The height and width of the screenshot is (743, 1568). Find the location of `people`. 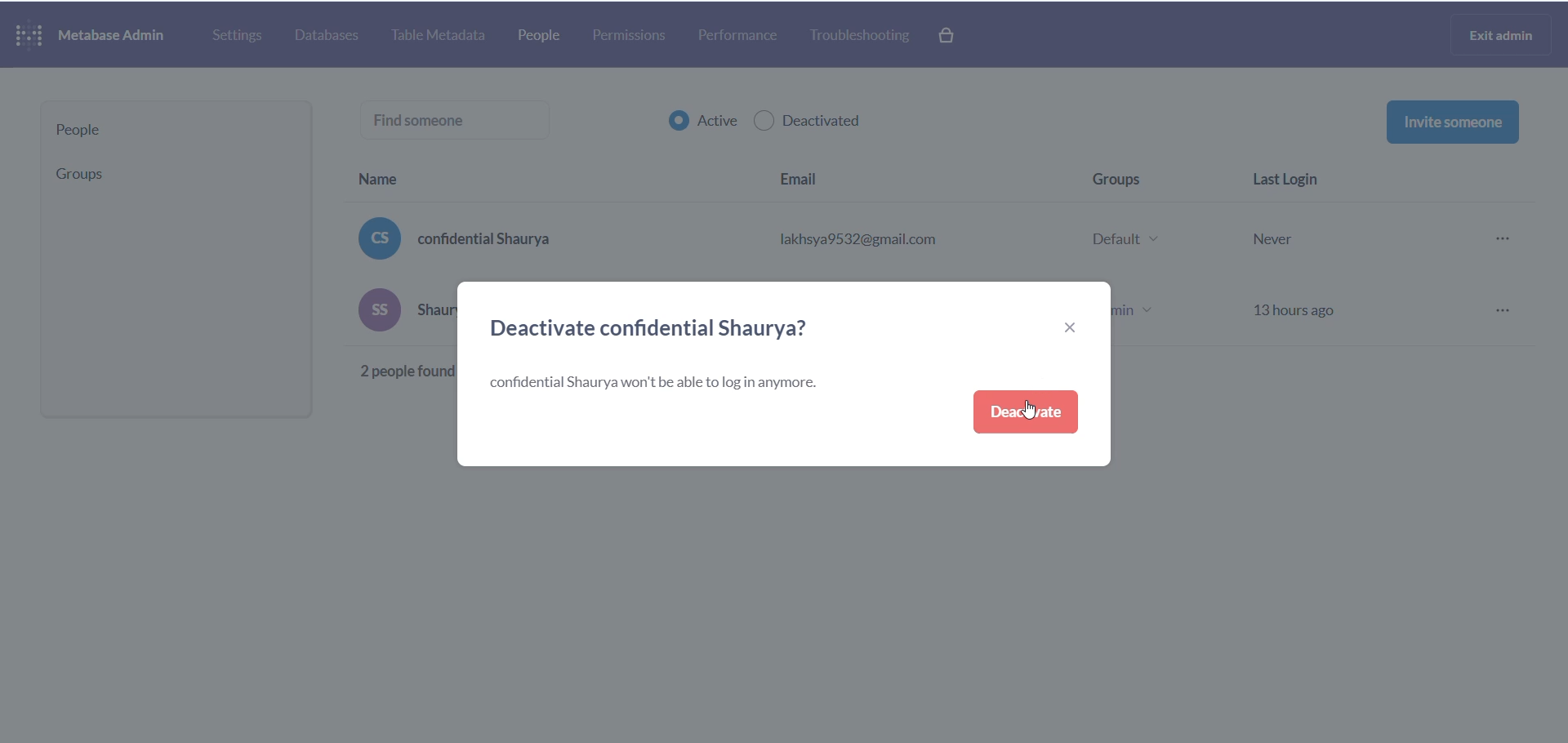

people is located at coordinates (543, 32).